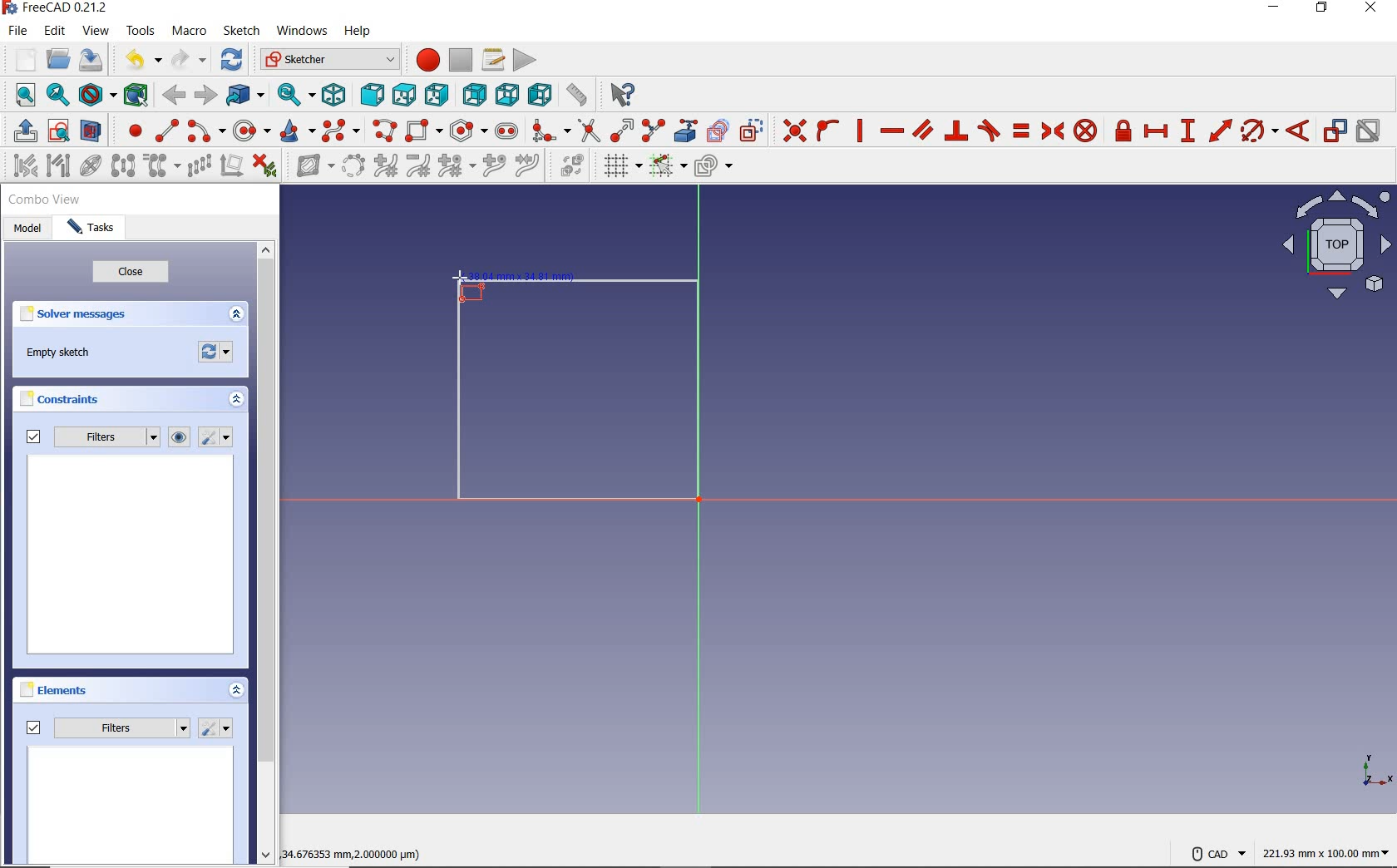  I want to click on undo, so click(144, 62).